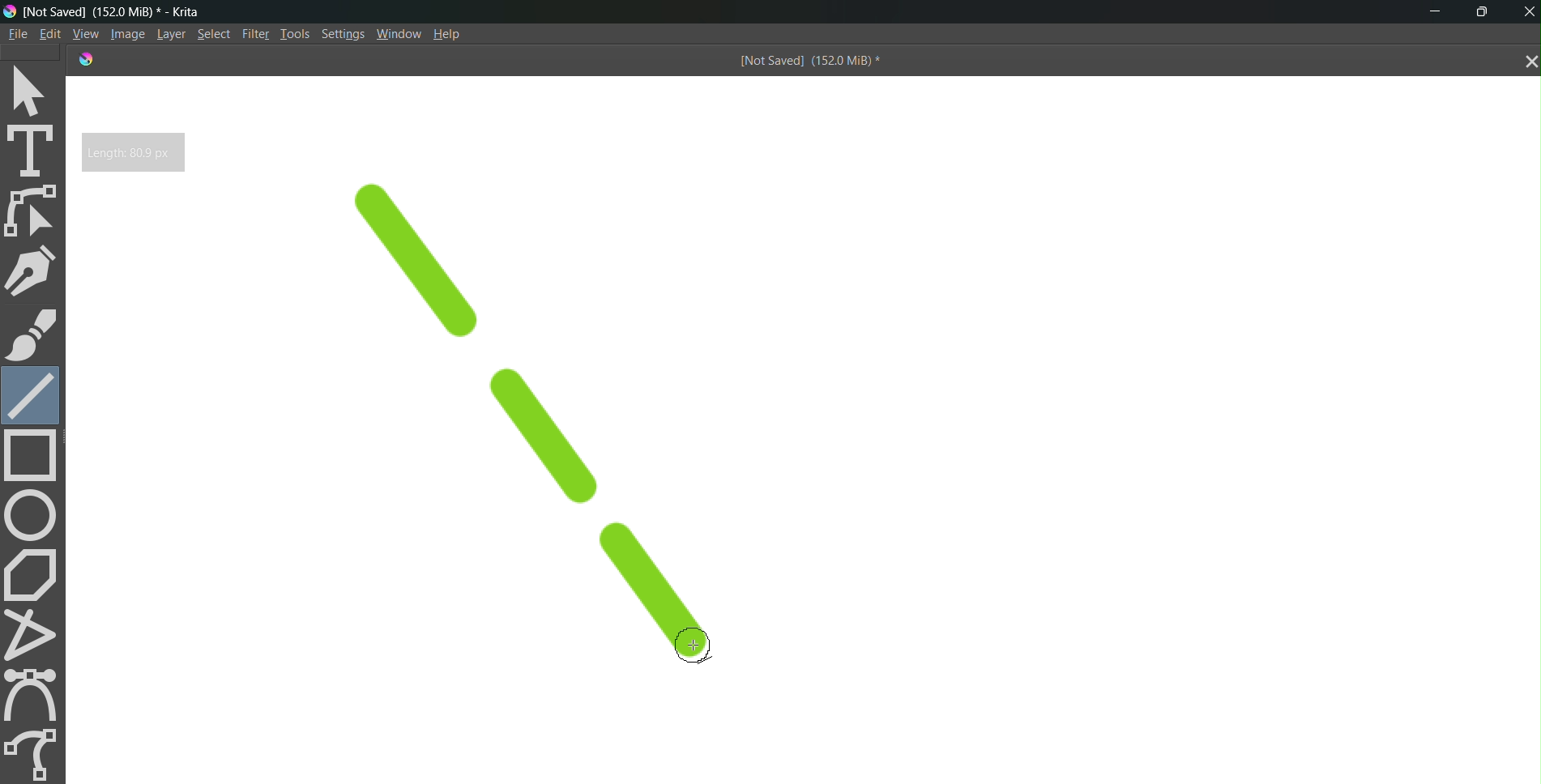 The image size is (1541, 784). Describe the element at coordinates (35, 89) in the screenshot. I see `select` at that location.